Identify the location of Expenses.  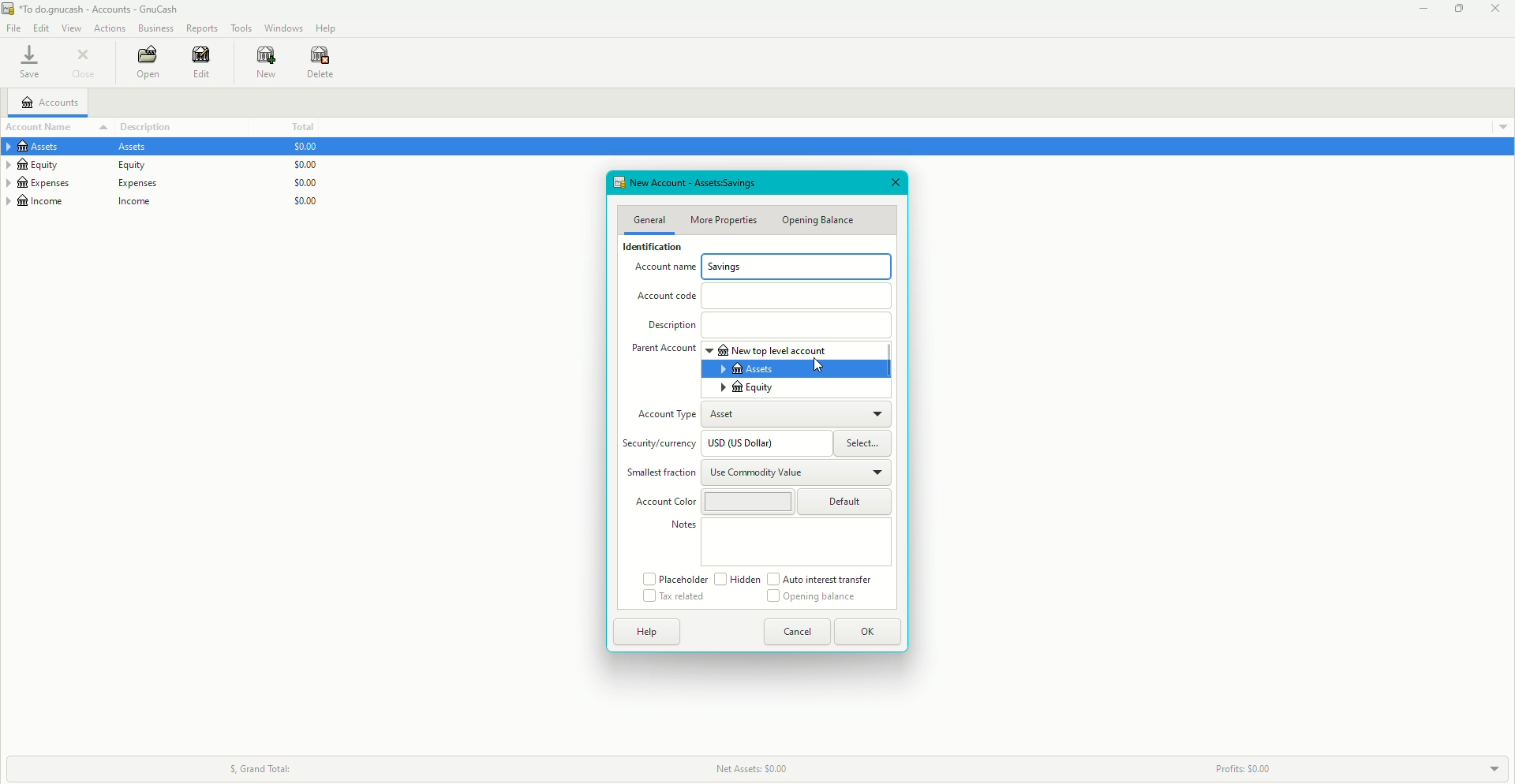
(84, 183).